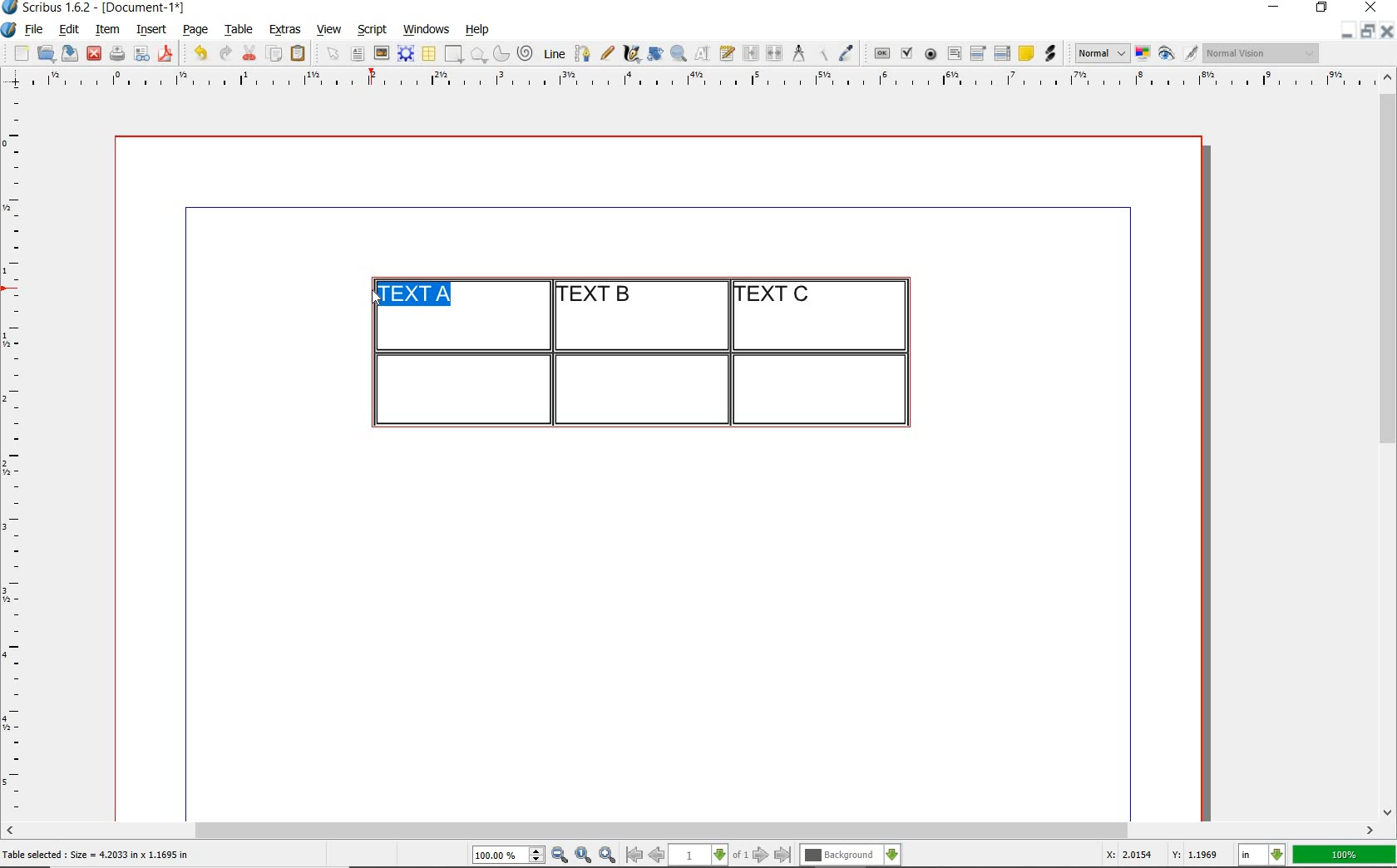  Describe the element at coordinates (334, 55) in the screenshot. I see `select` at that location.